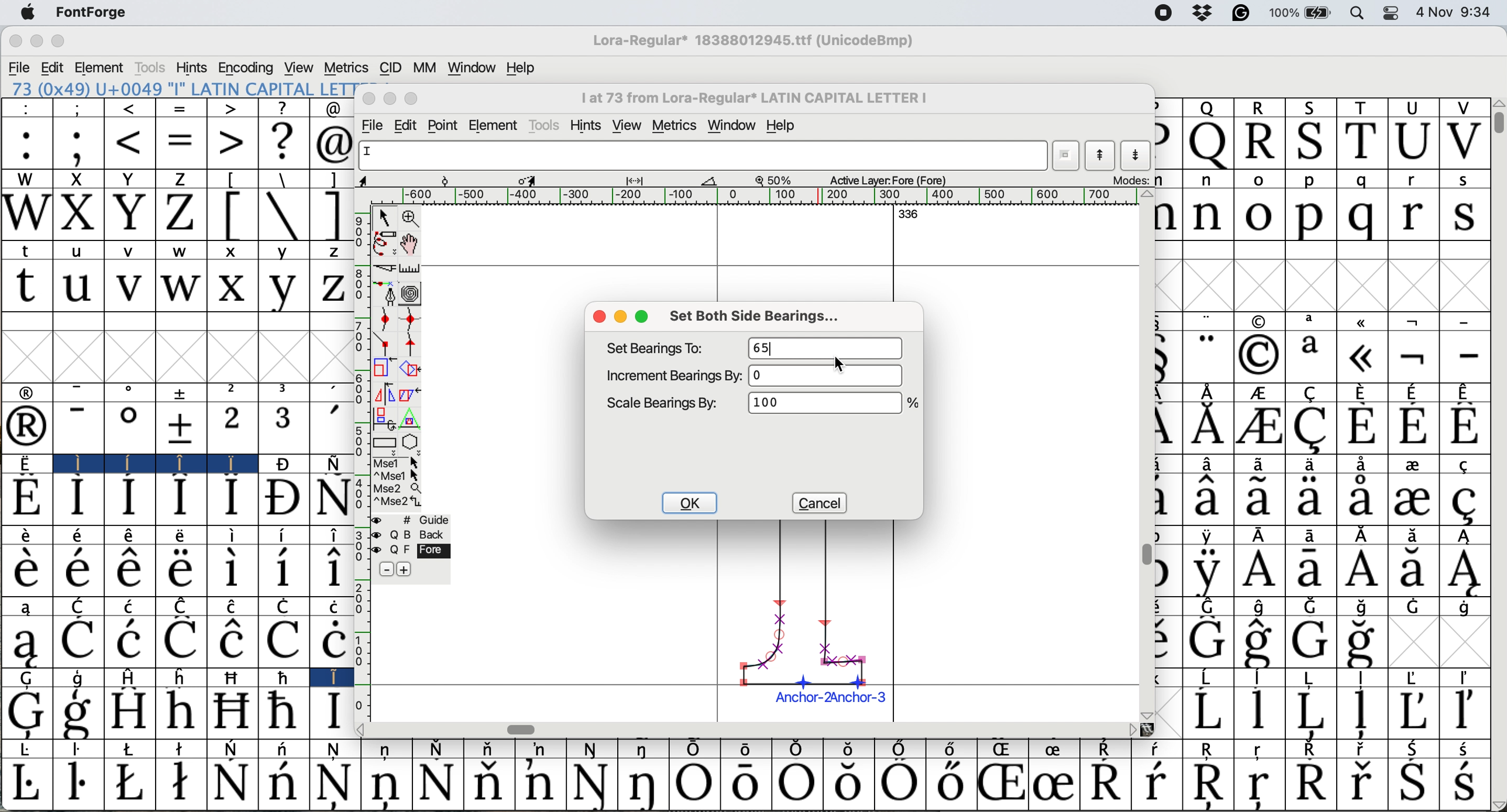  Describe the element at coordinates (949, 785) in the screenshot. I see `Symbol` at that location.